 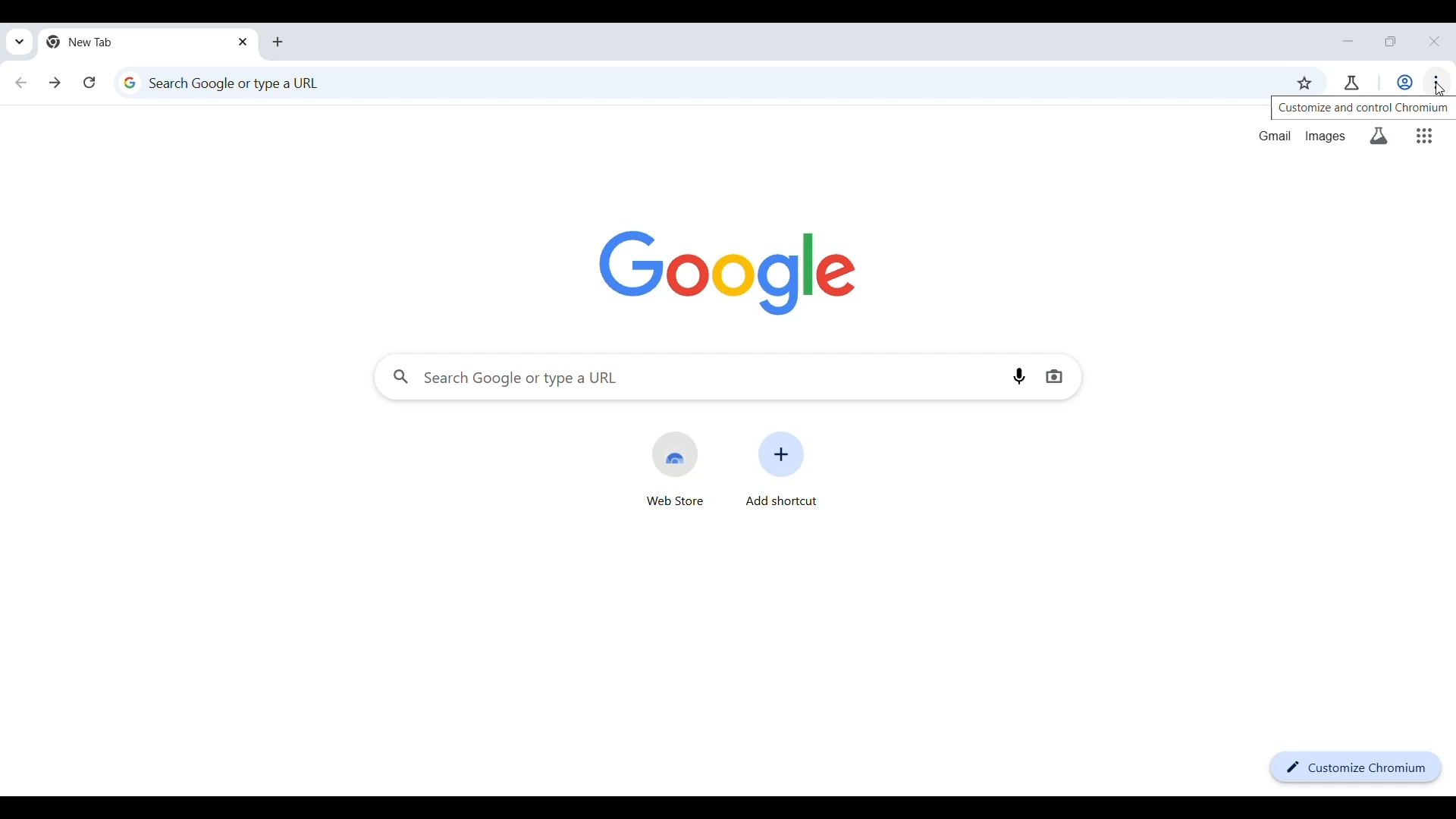 I want to click on Close interface, so click(x=1434, y=41).